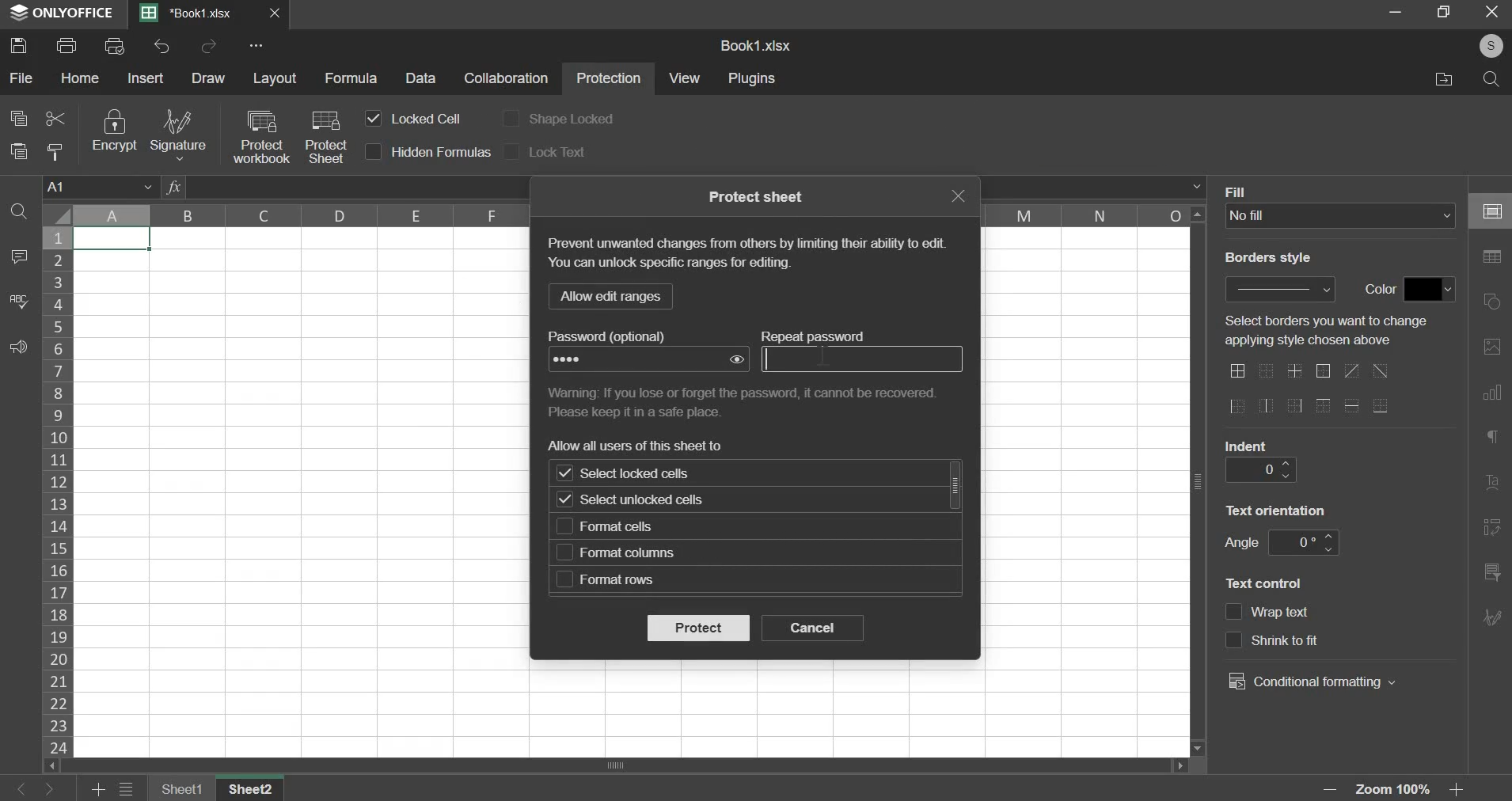 The image size is (1512, 801). Describe the element at coordinates (17, 347) in the screenshot. I see `feedback` at that location.